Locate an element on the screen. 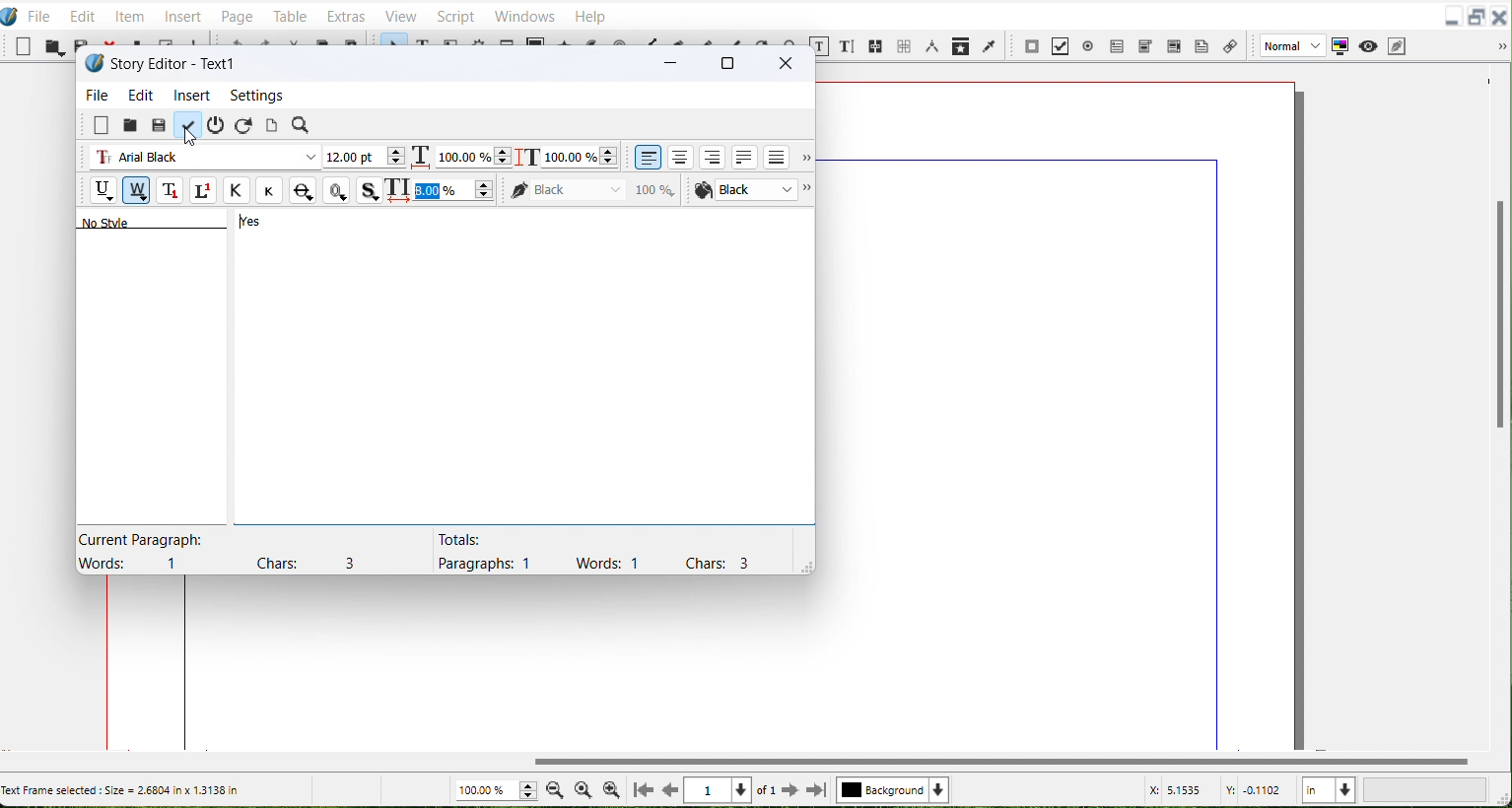 The image size is (1512, 808). Text is located at coordinates (180, 64).